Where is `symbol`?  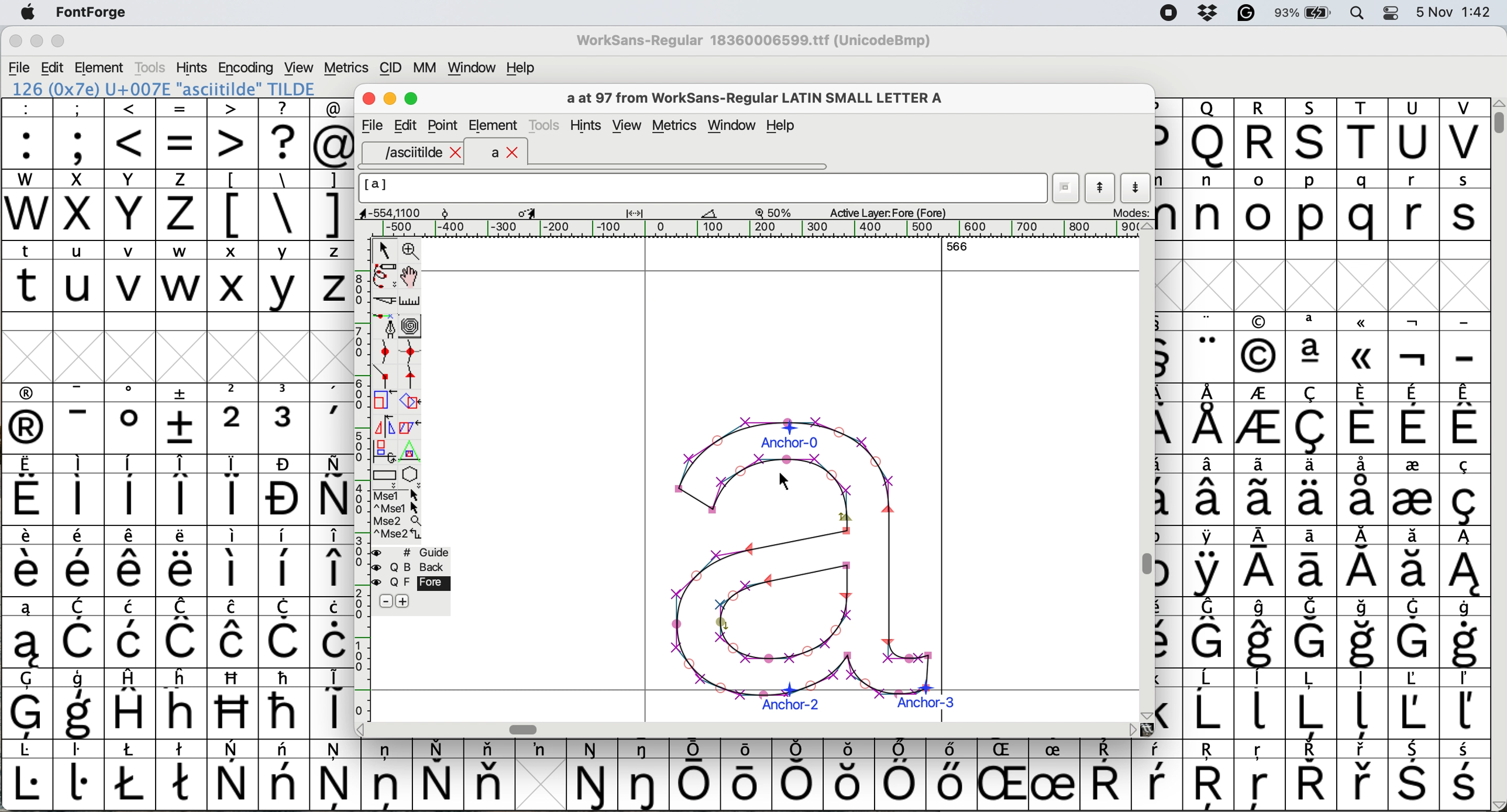 symbol is located at coordinates (1312, 562).